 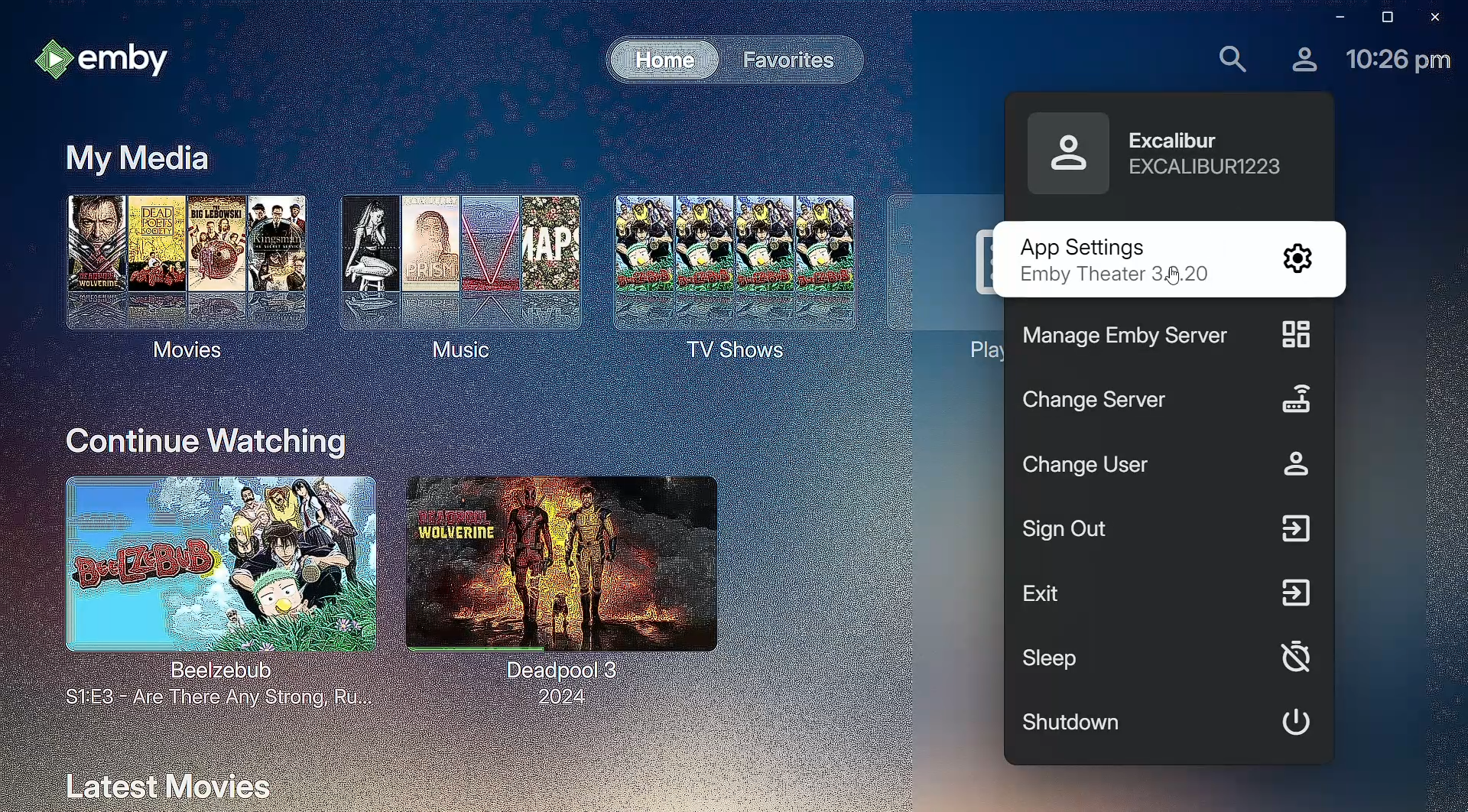 What do you see at coordinates (130, 157) in the screenshot?
I see `My Media` at bounding box center [130, 157].